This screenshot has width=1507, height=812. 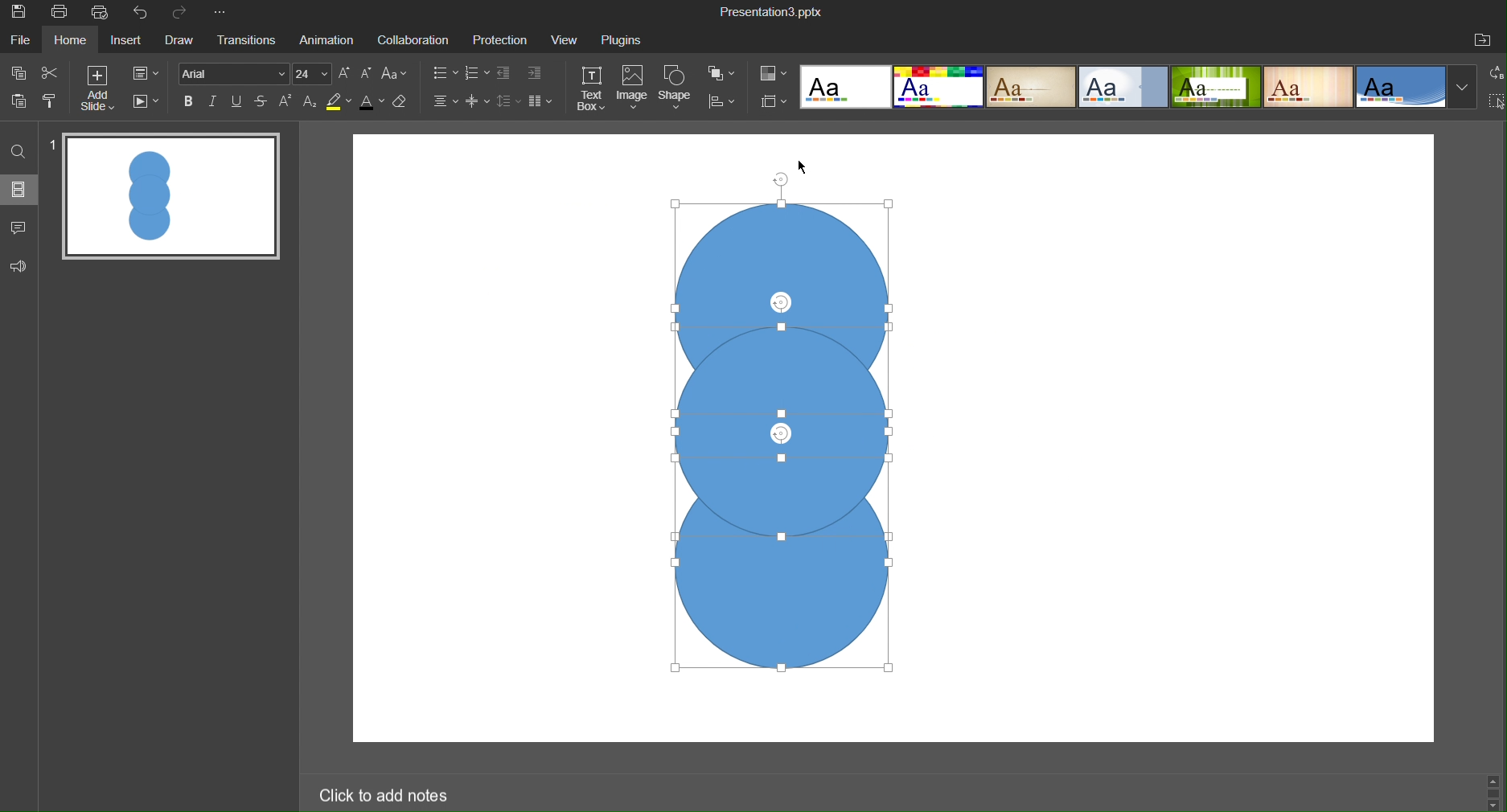 What do you see at coordinates (224, 14) in the screenshot?
I see `More` at bounding box center [224, 14].